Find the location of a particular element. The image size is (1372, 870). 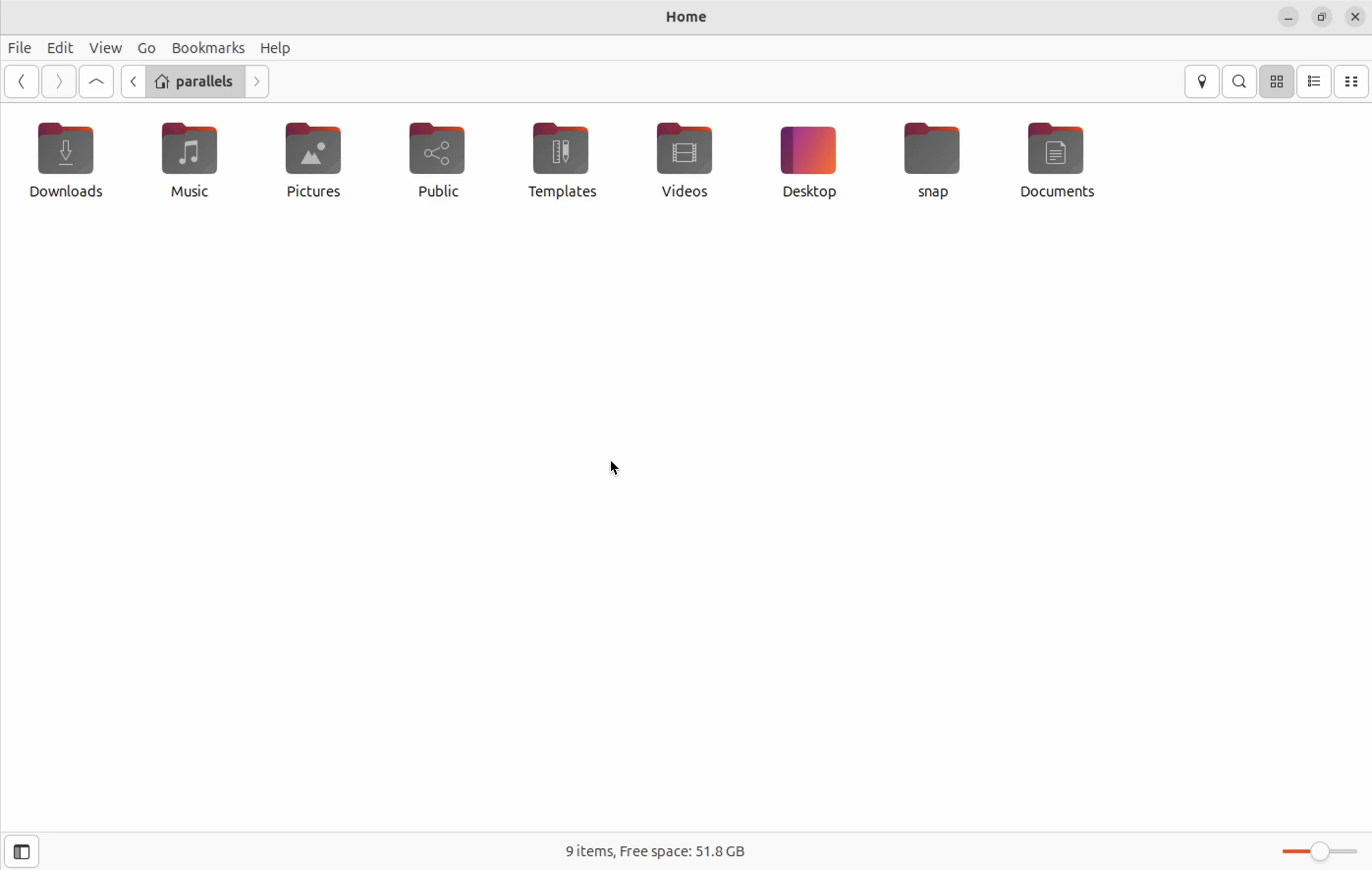

location is located at coordinates (1202, 81).